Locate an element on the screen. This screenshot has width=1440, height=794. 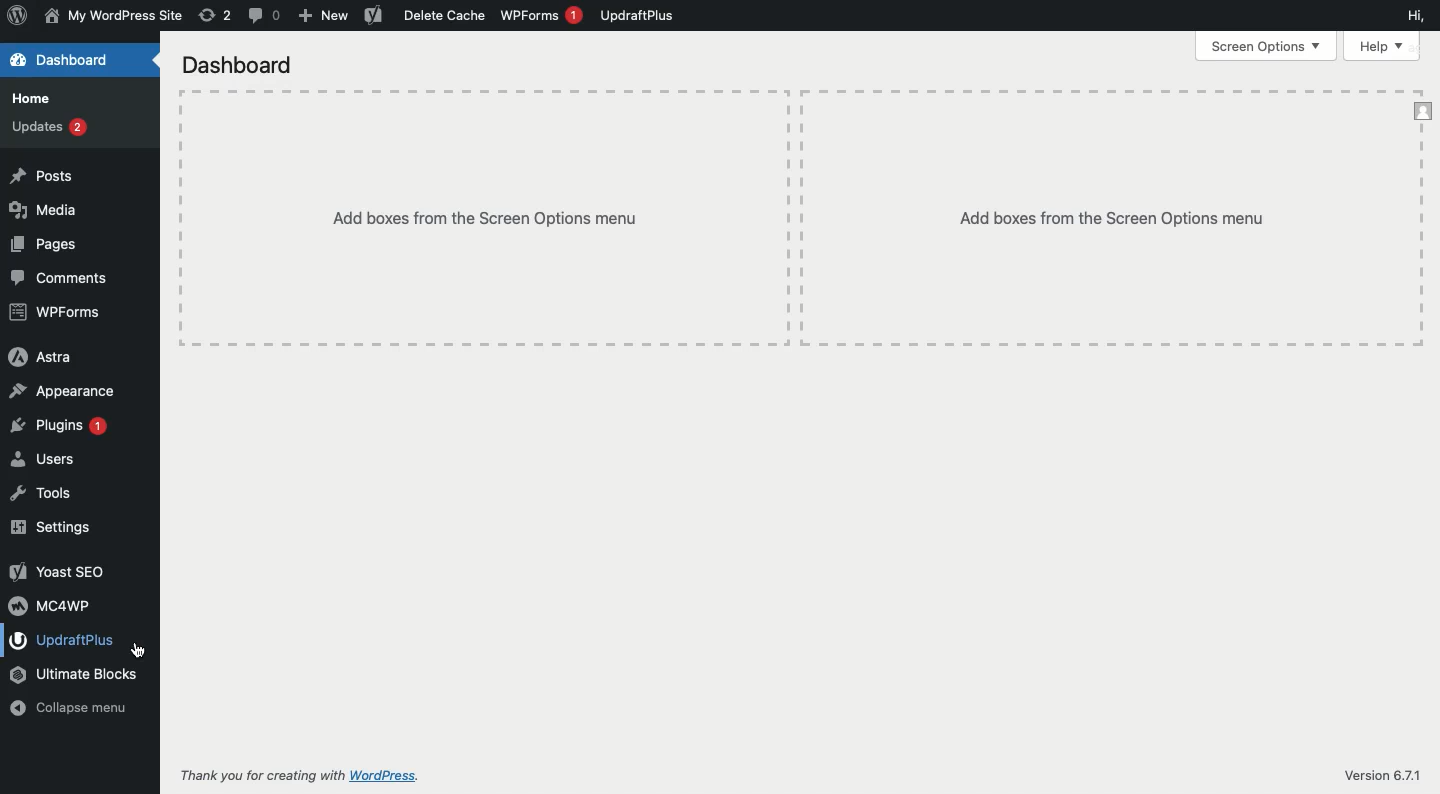
Help is located at coordinates (1384, 46).